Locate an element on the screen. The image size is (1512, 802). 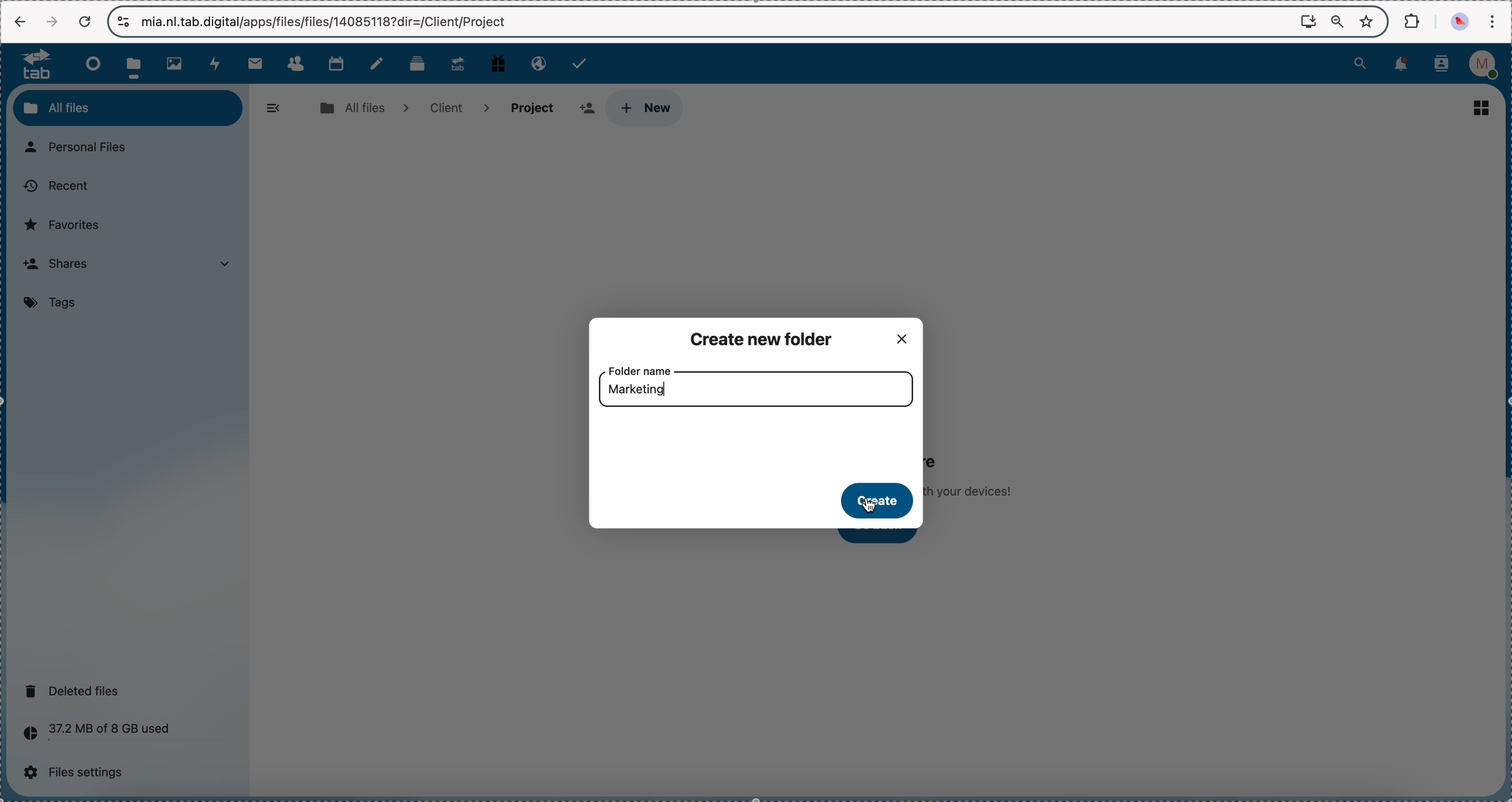
notifications is located at coordinates (1399, 65).